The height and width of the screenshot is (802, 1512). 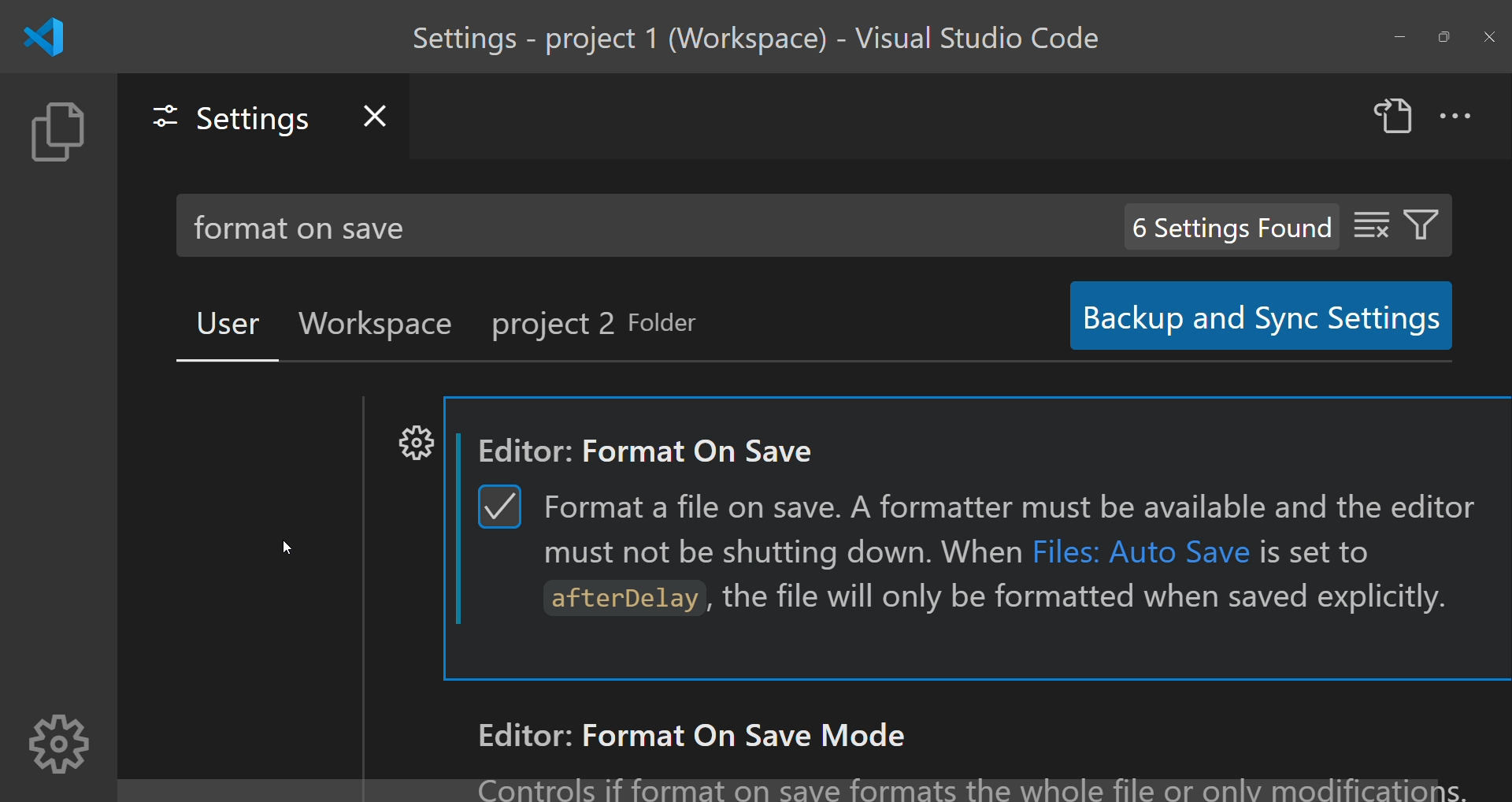 What do you see at coordinates (661, 447) in the screenshot?
I see `Editor: format on save` at bounding box center [661, 447].